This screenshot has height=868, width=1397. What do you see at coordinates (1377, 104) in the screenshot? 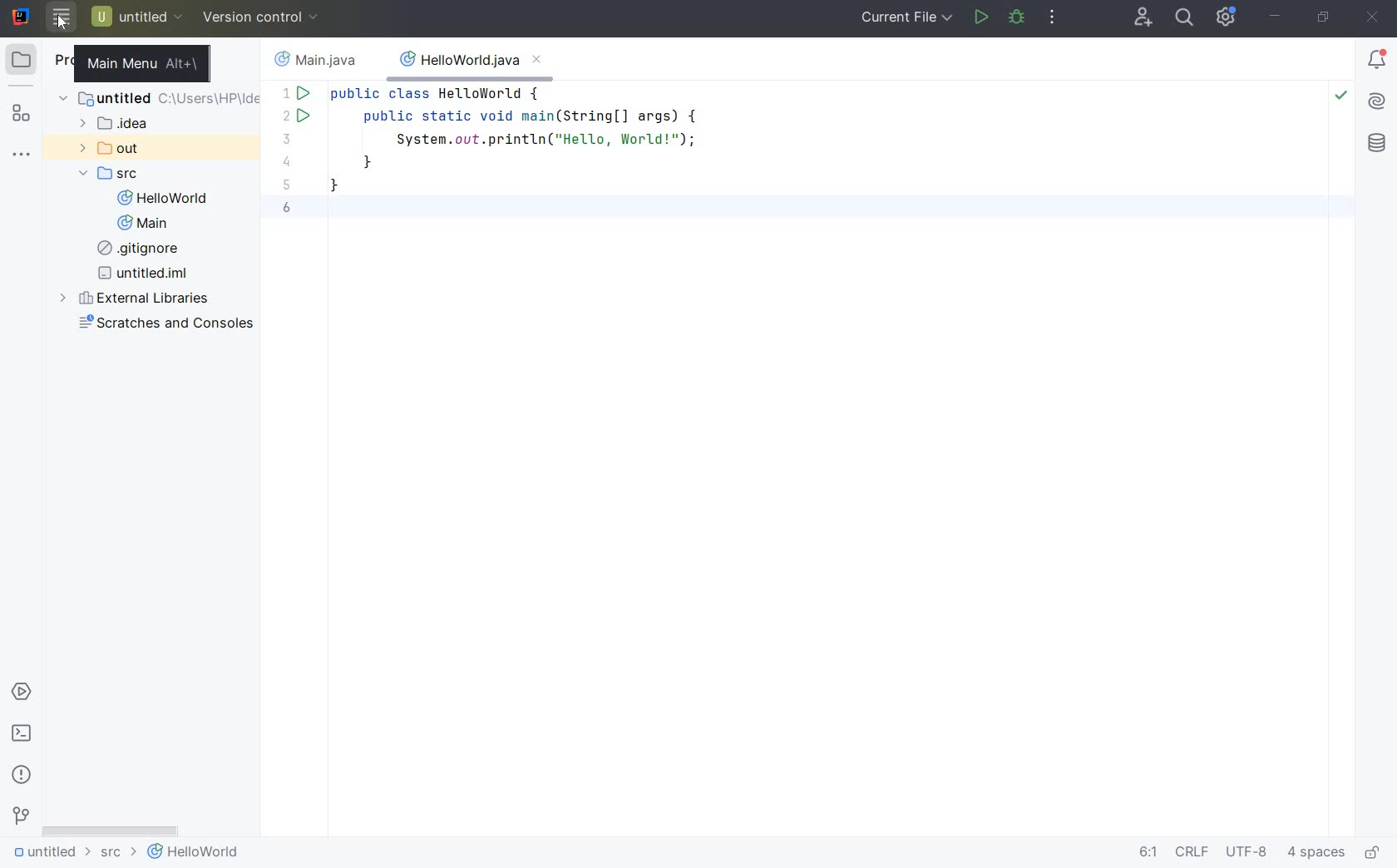
I see `AI Assistant` at bounding box center [1377, 104].